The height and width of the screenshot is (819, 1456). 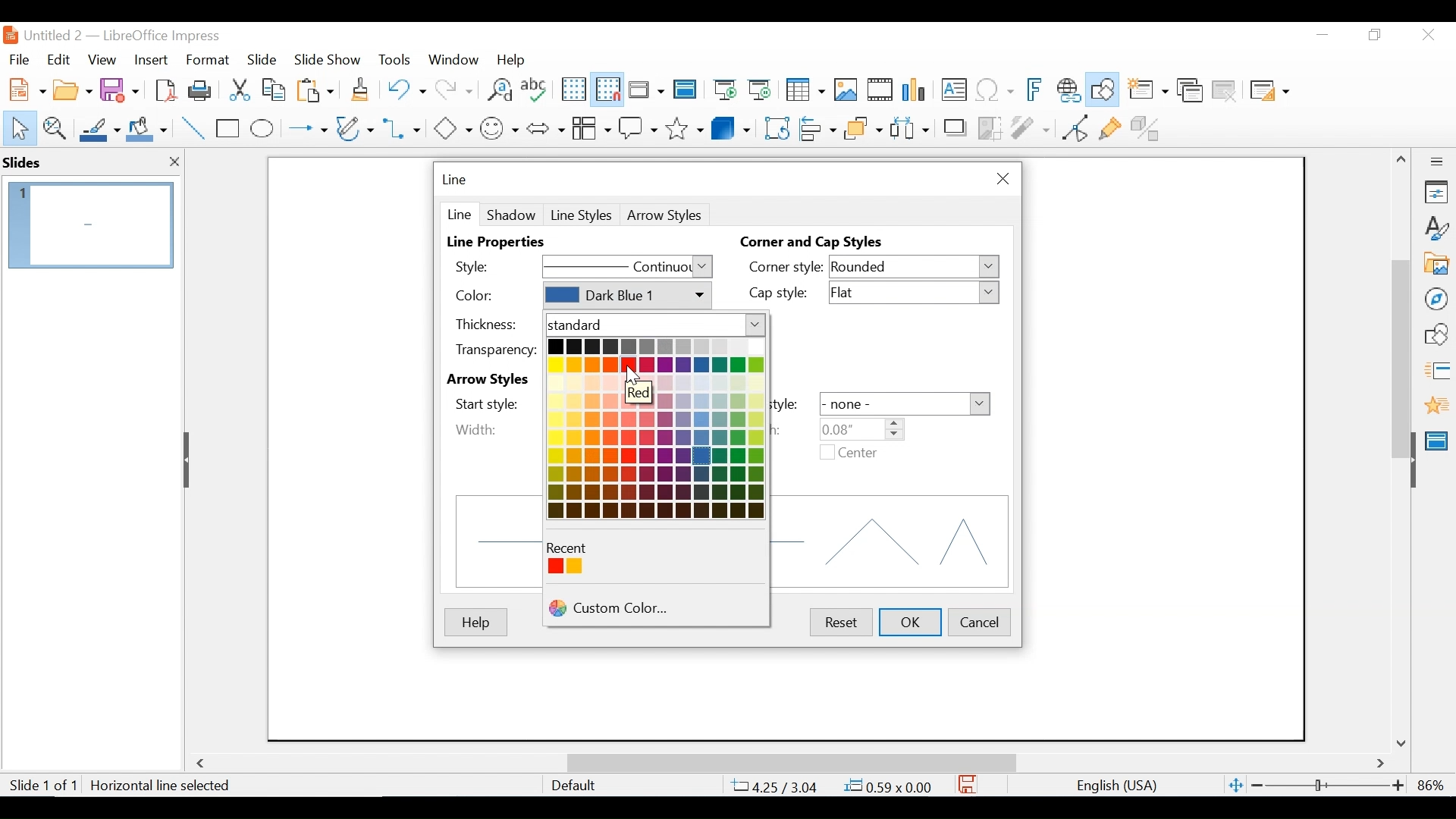 I want to click on Delete Slide, so click(x=1223, y=91).